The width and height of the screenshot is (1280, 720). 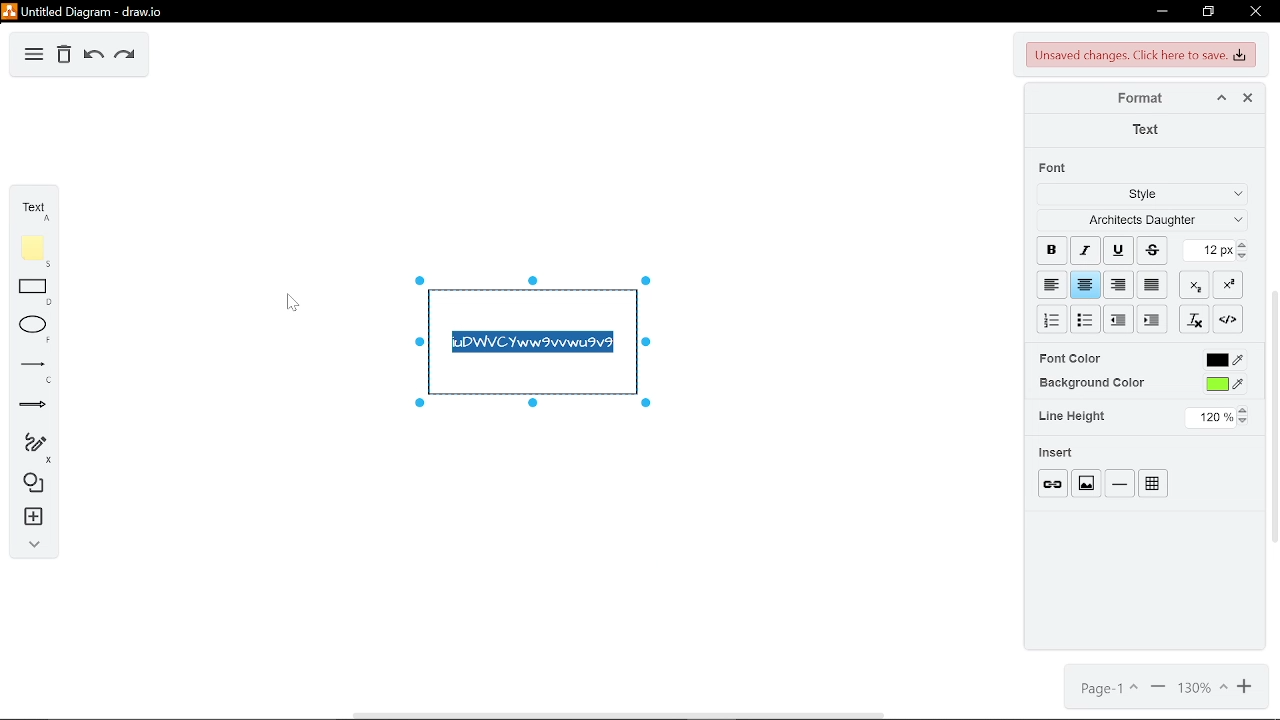 What do you see at coordinates (1052, 248) in the screenshot?
I see `bold ` at bounding box center [1052, 248].